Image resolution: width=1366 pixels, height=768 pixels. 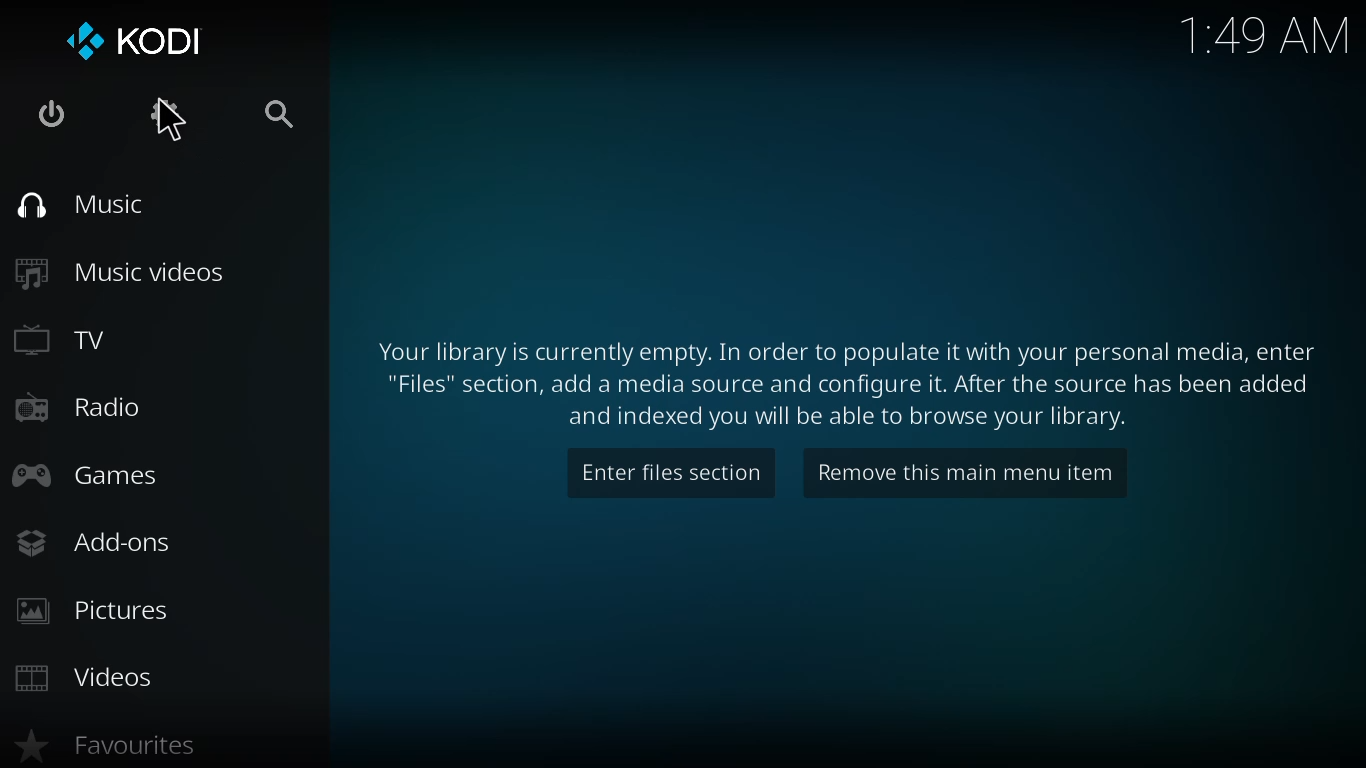 I want to click on info, so click(x=845, y=383).